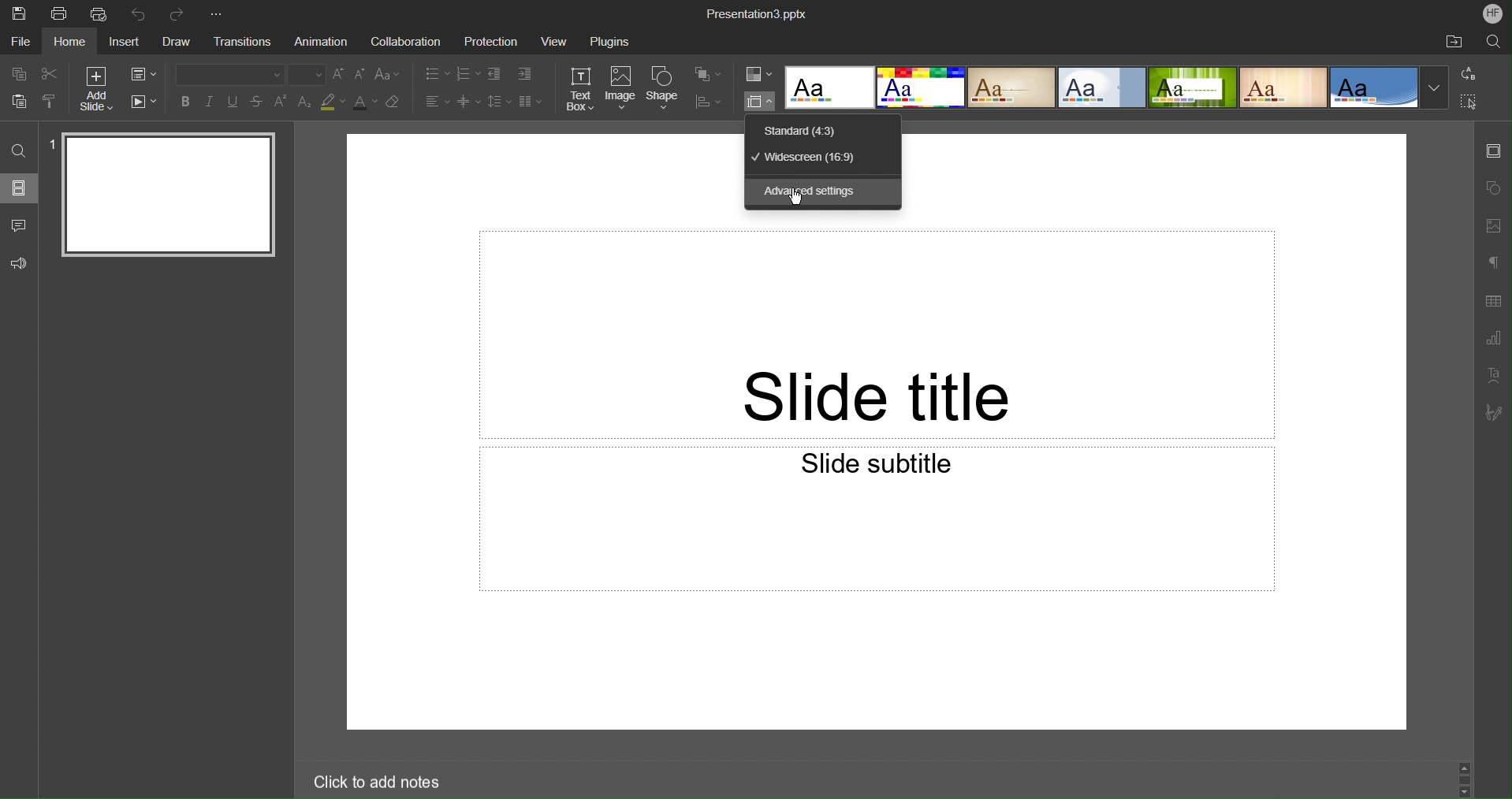  I want to click on Underline, so click(235, 102).